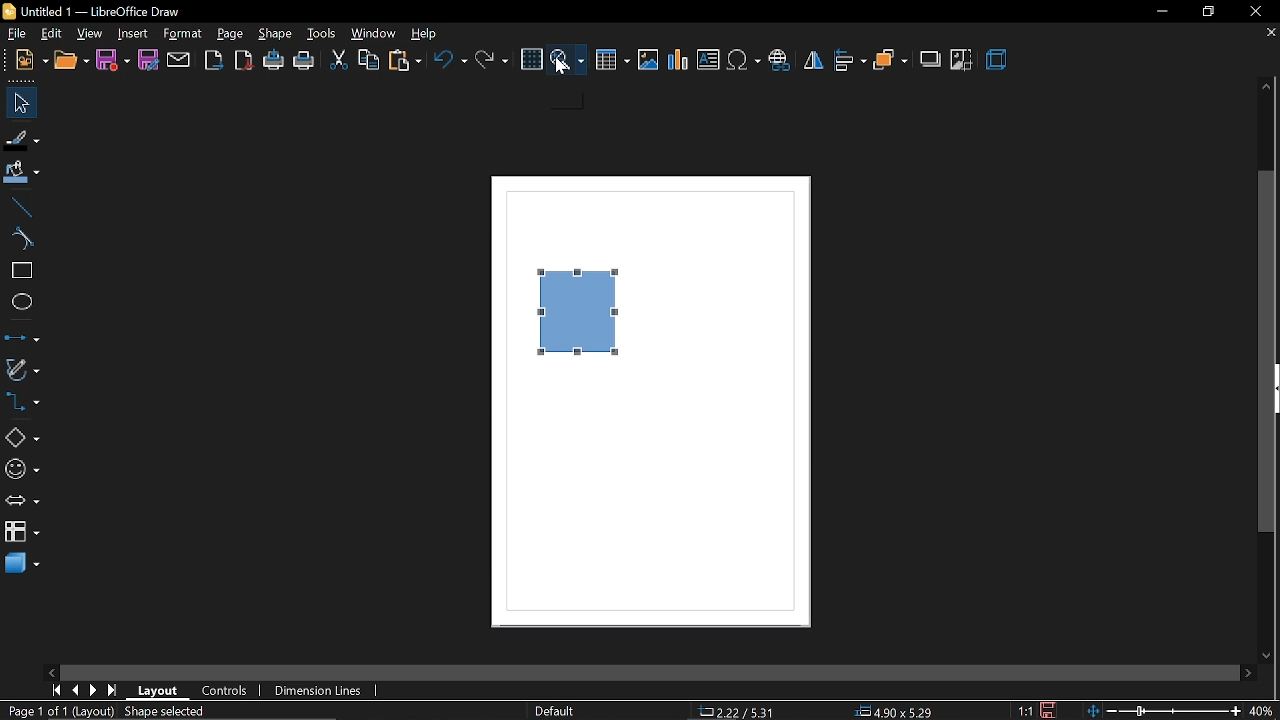 The image size is (1280, 720). I want to click on grid, so click(534, 59).